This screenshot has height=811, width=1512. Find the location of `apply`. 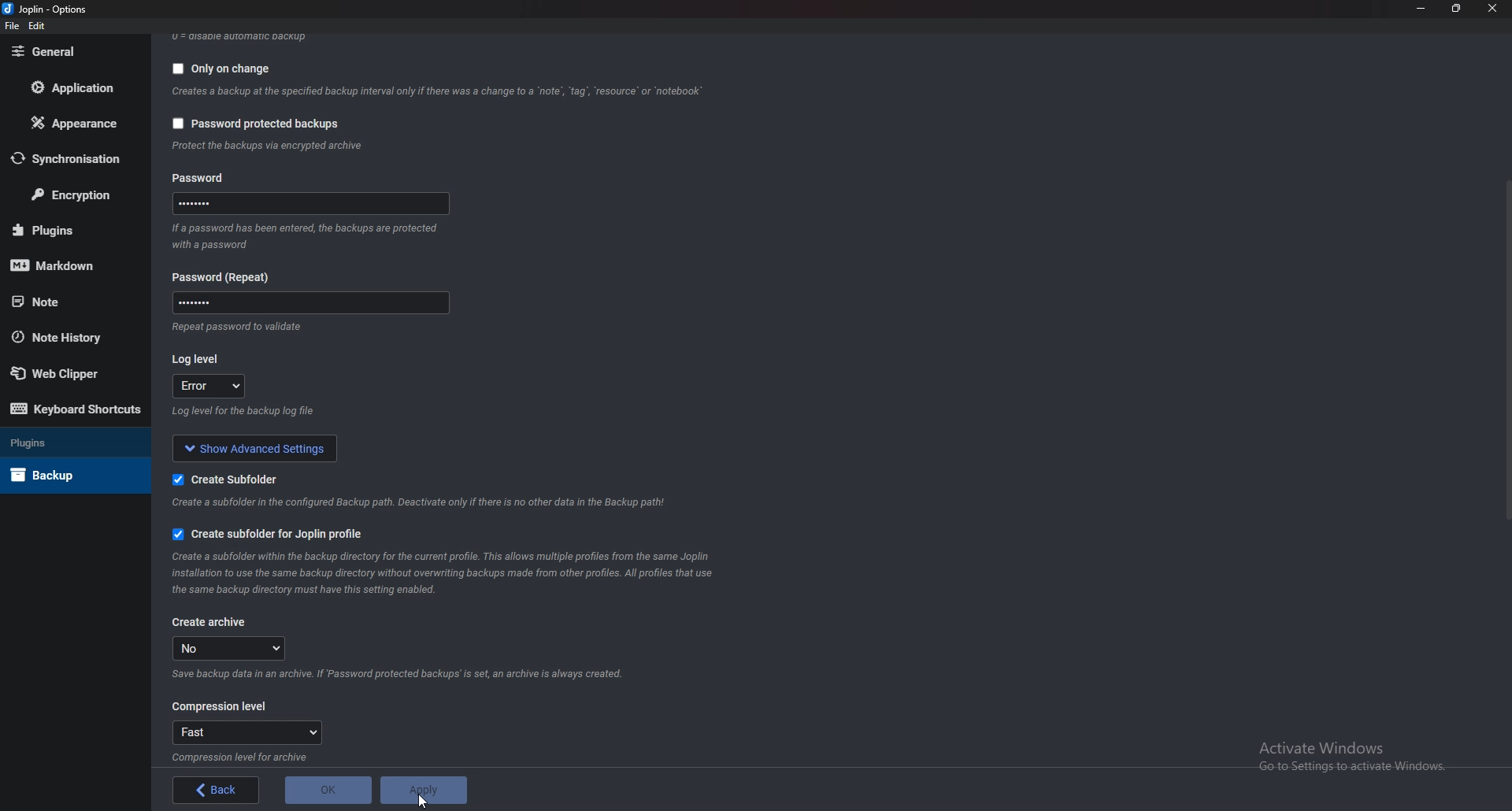

apply is located at coordinates (422, 790).